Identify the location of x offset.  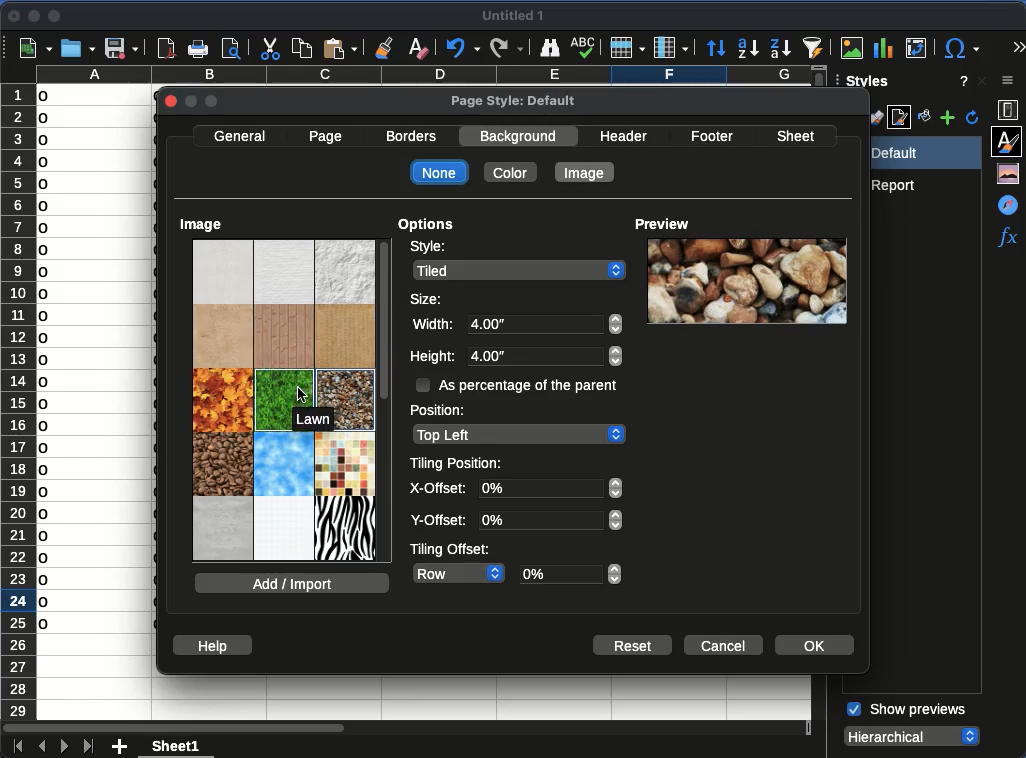
(438, 490).